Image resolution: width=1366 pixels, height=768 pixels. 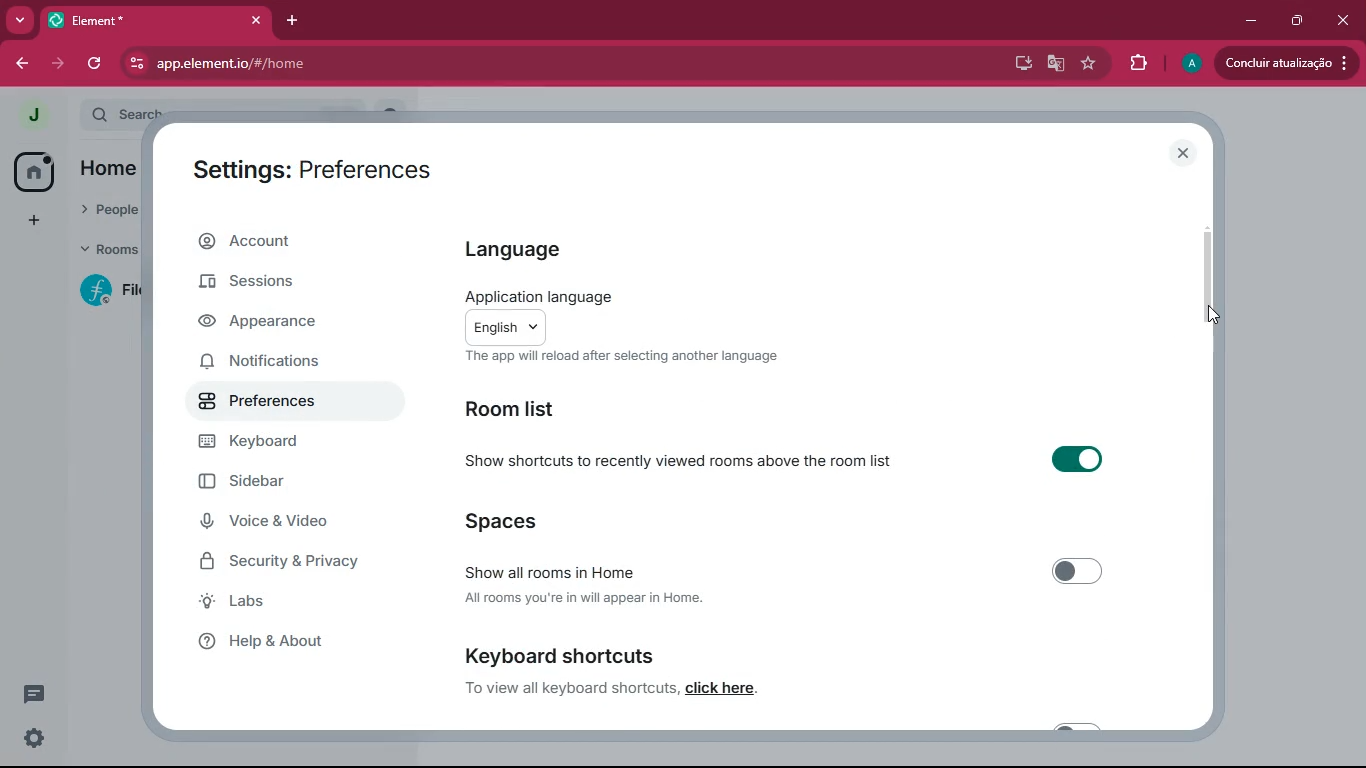 I want to click on add tab, so click(x=290, y=22).